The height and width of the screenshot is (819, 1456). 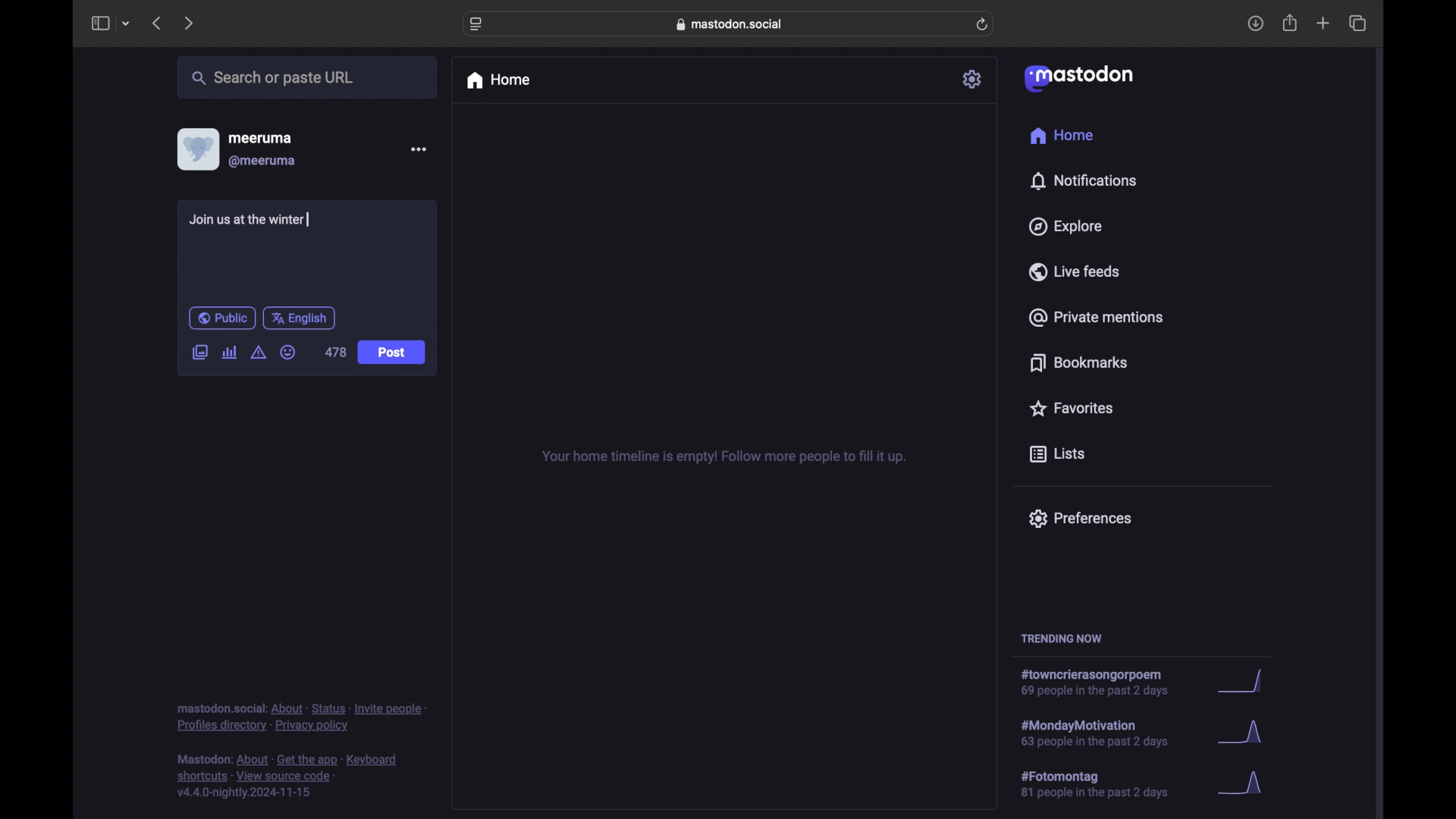 I want to click on notifications, so click(x=1083, y=180).